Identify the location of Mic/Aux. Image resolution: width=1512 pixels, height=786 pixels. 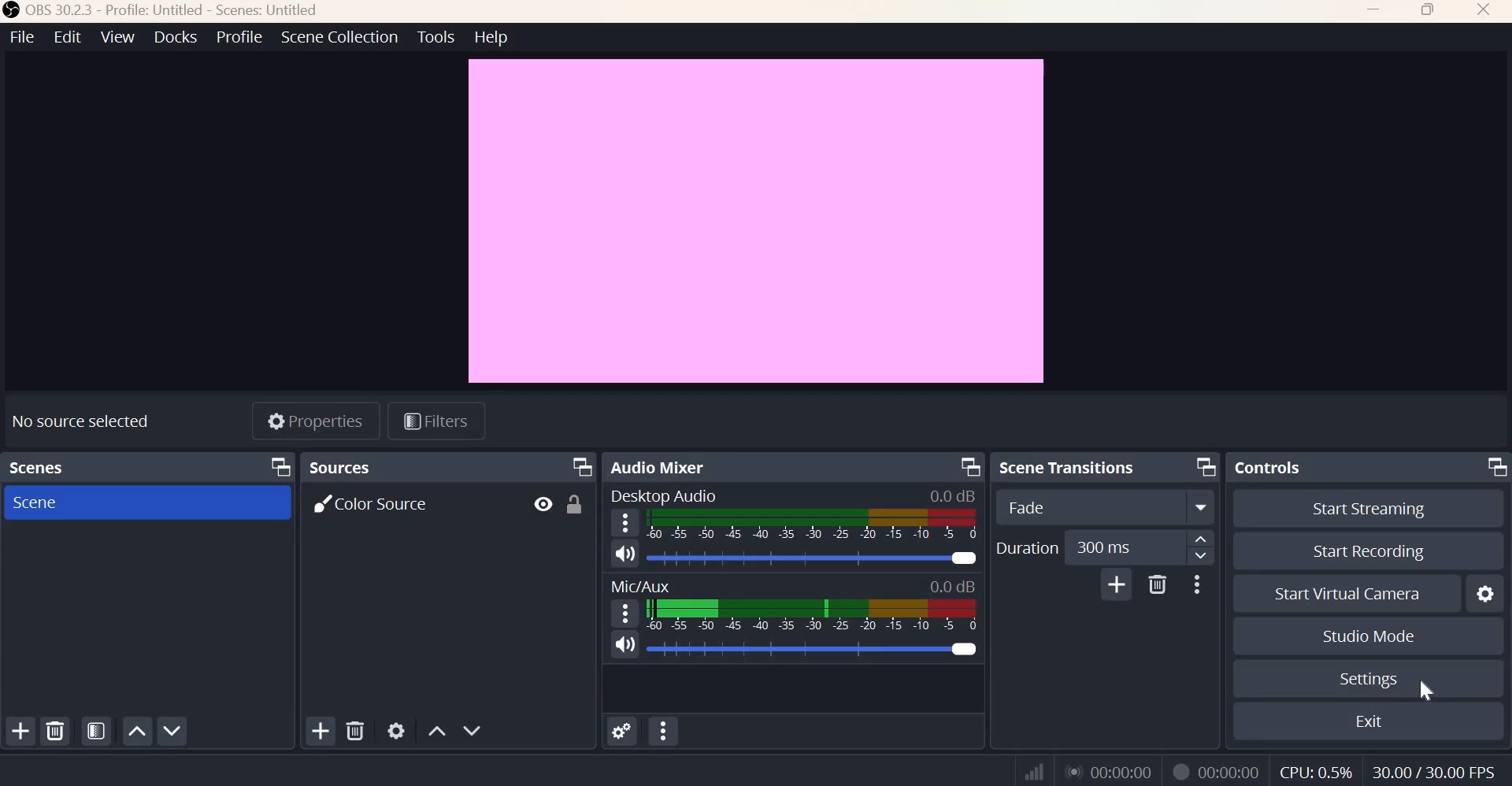
(638, 584).